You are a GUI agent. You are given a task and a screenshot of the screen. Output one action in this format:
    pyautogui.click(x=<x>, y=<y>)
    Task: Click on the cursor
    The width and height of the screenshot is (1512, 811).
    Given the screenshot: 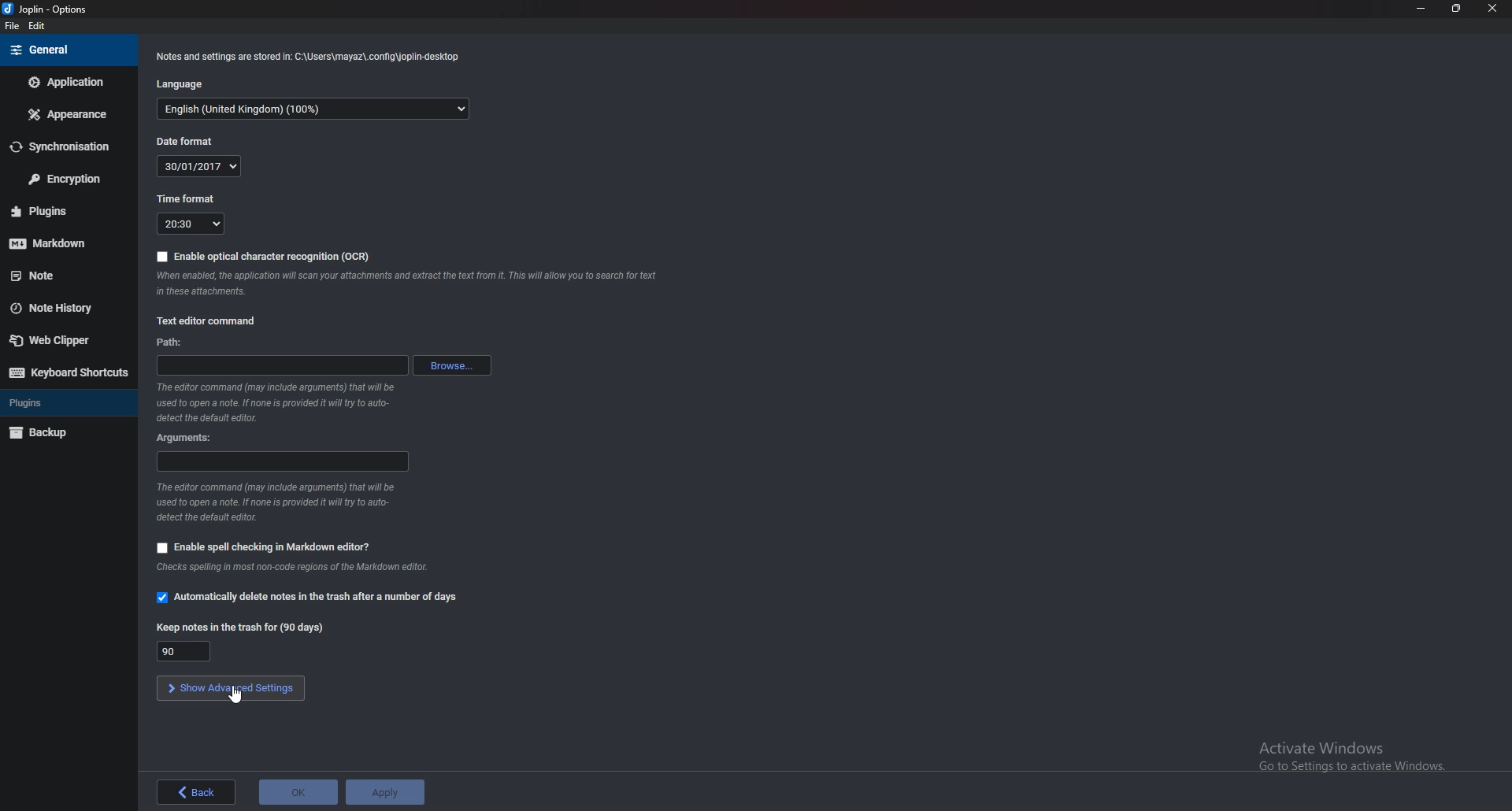 What is the action you would take?
    pyautogui.click(x=236, y=698)
    